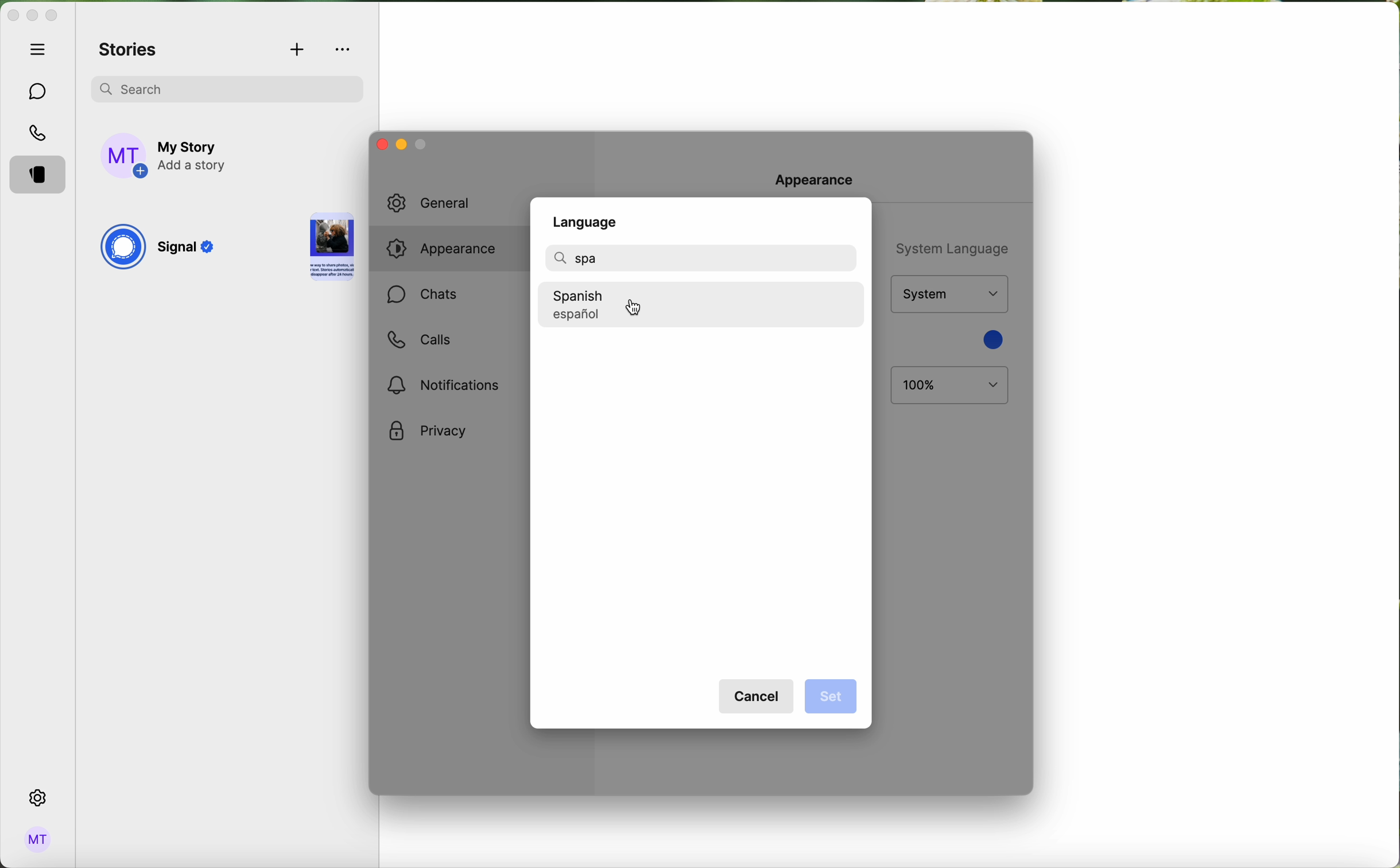  What do you see at coordinates (125, 156) in the screenshot?
I see `profile photo` at bounding box center [125, 156].